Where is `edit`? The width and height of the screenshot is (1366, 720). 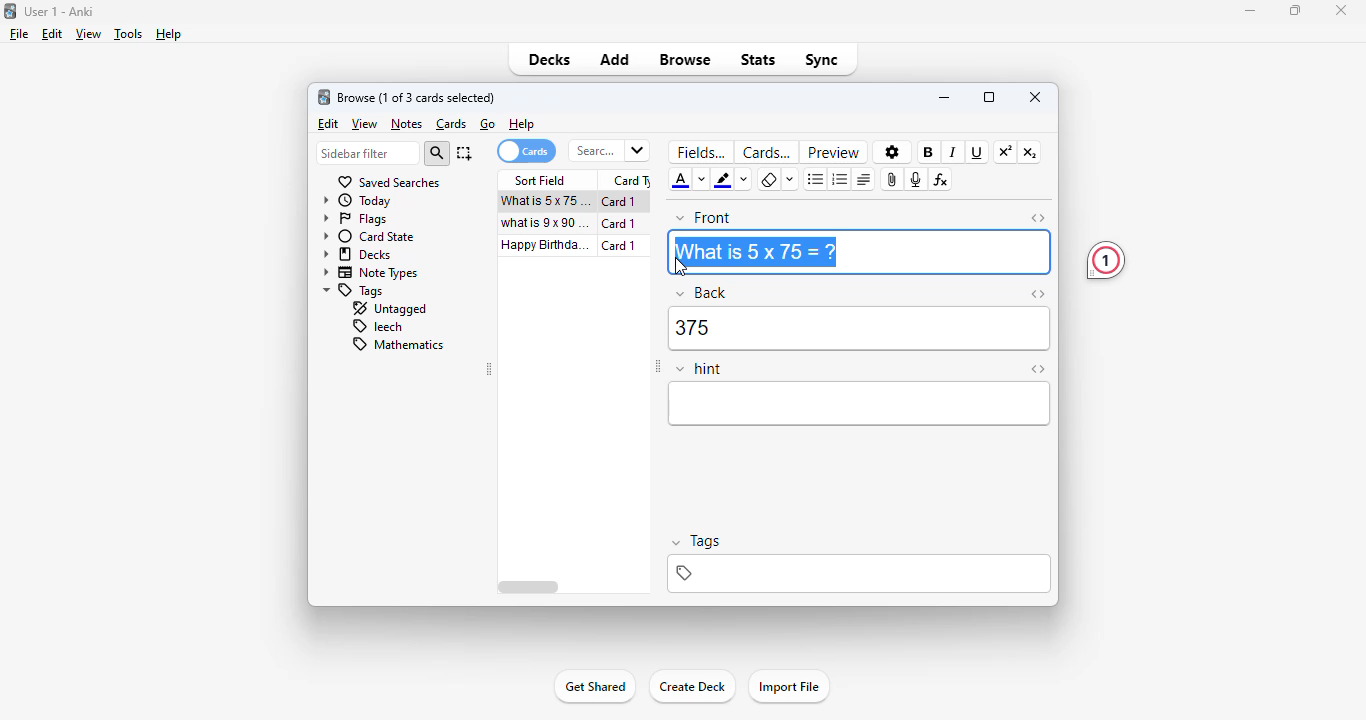 edit is located at coordinates (53, 35).